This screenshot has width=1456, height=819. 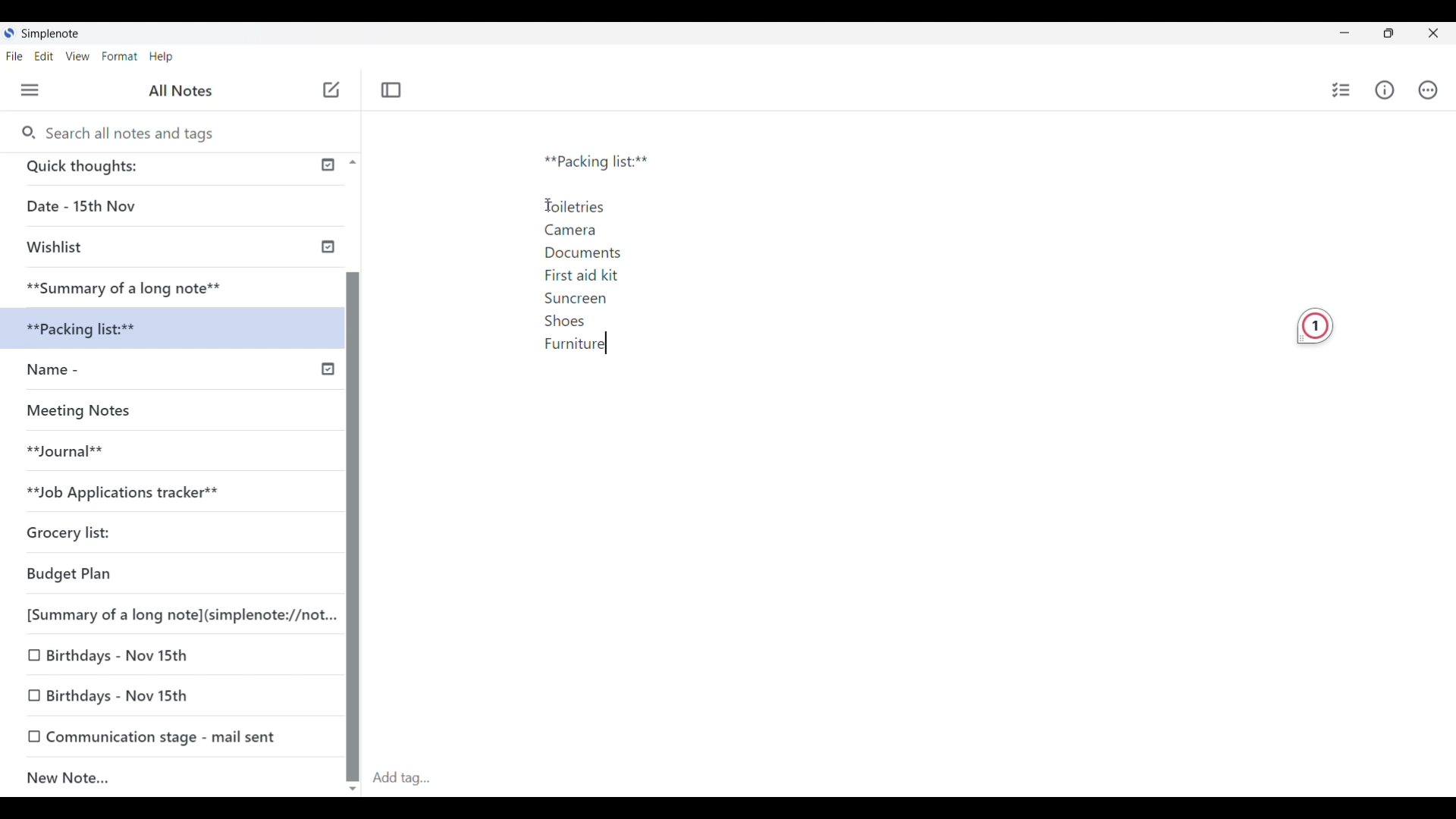 I want to click on Title of left panel, so click(x=183, y=89).